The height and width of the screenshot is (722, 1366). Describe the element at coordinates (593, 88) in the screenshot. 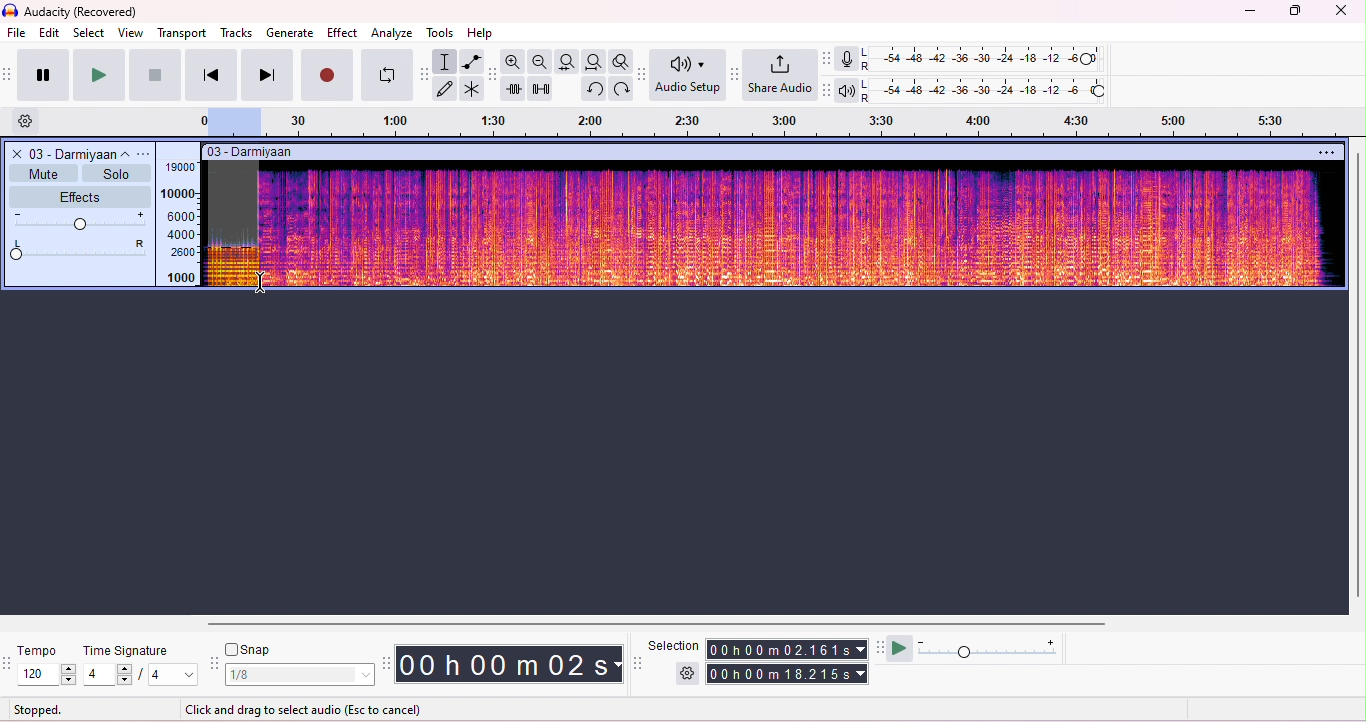

I see `undo` at that location.